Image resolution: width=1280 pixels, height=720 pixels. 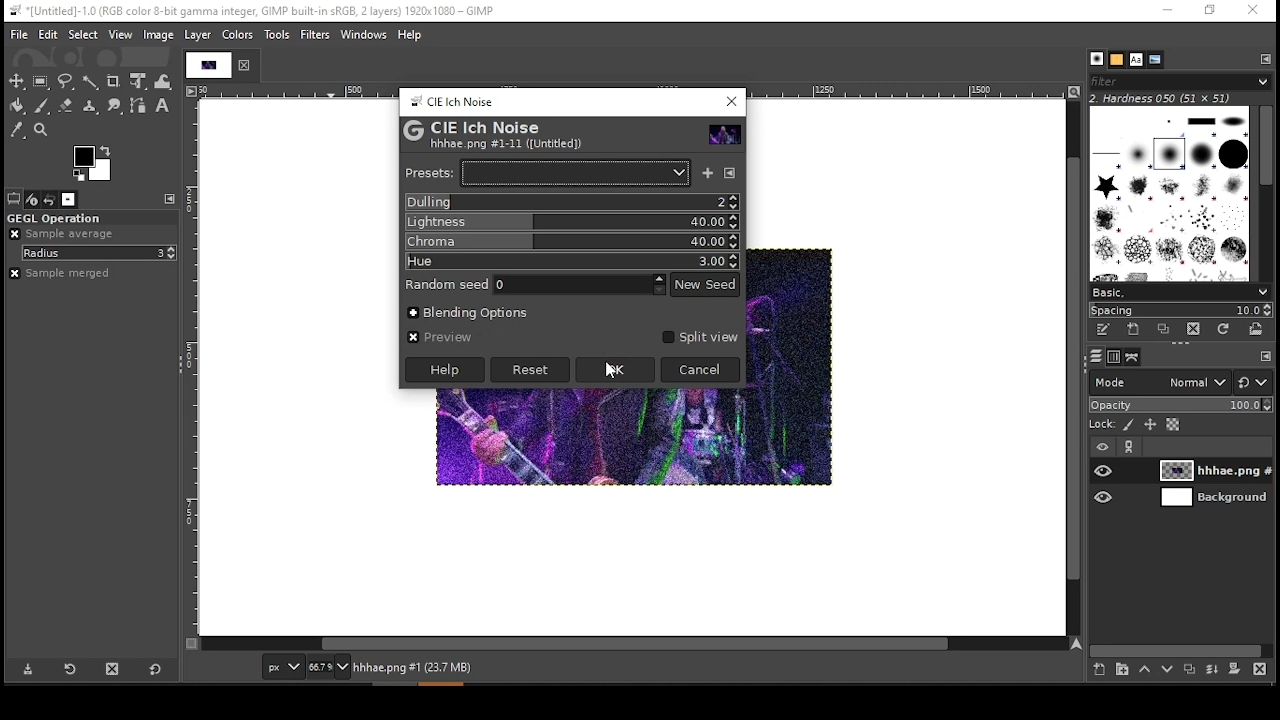 I want to click on restore, so click(x=1207, y=12).